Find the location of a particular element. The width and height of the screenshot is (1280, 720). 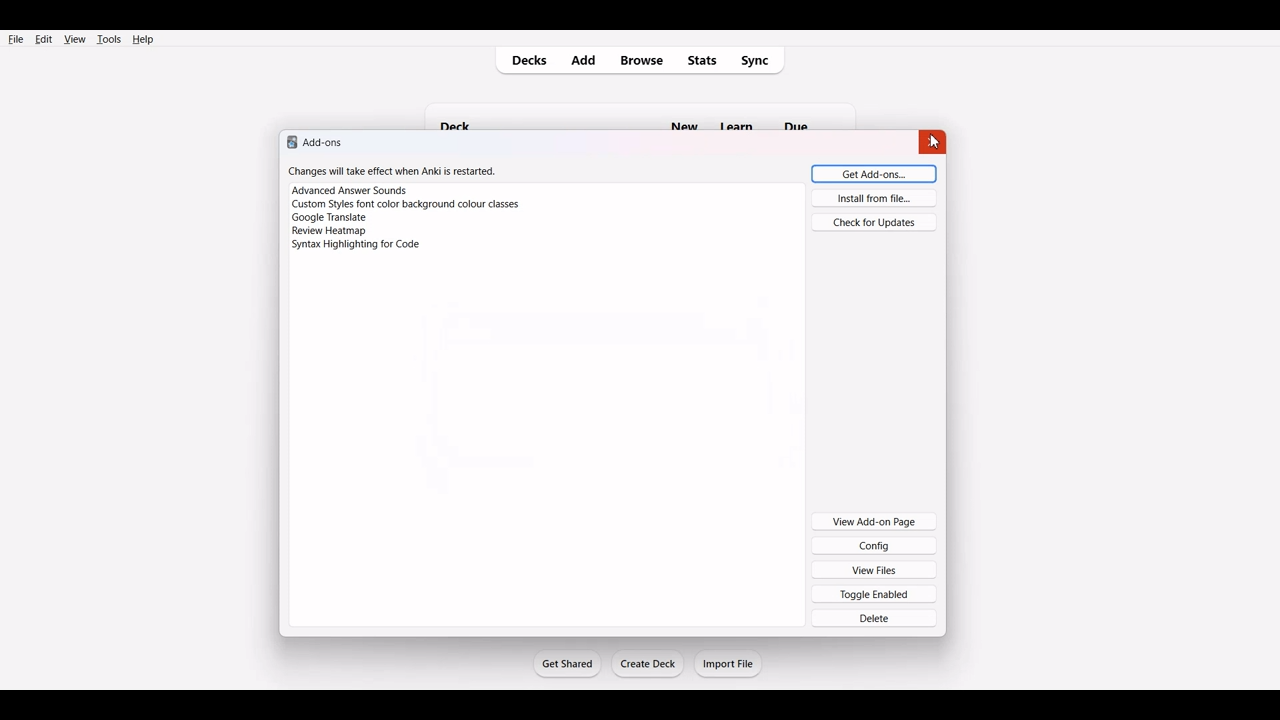

Text 1 is located at coordinates (316, 141).